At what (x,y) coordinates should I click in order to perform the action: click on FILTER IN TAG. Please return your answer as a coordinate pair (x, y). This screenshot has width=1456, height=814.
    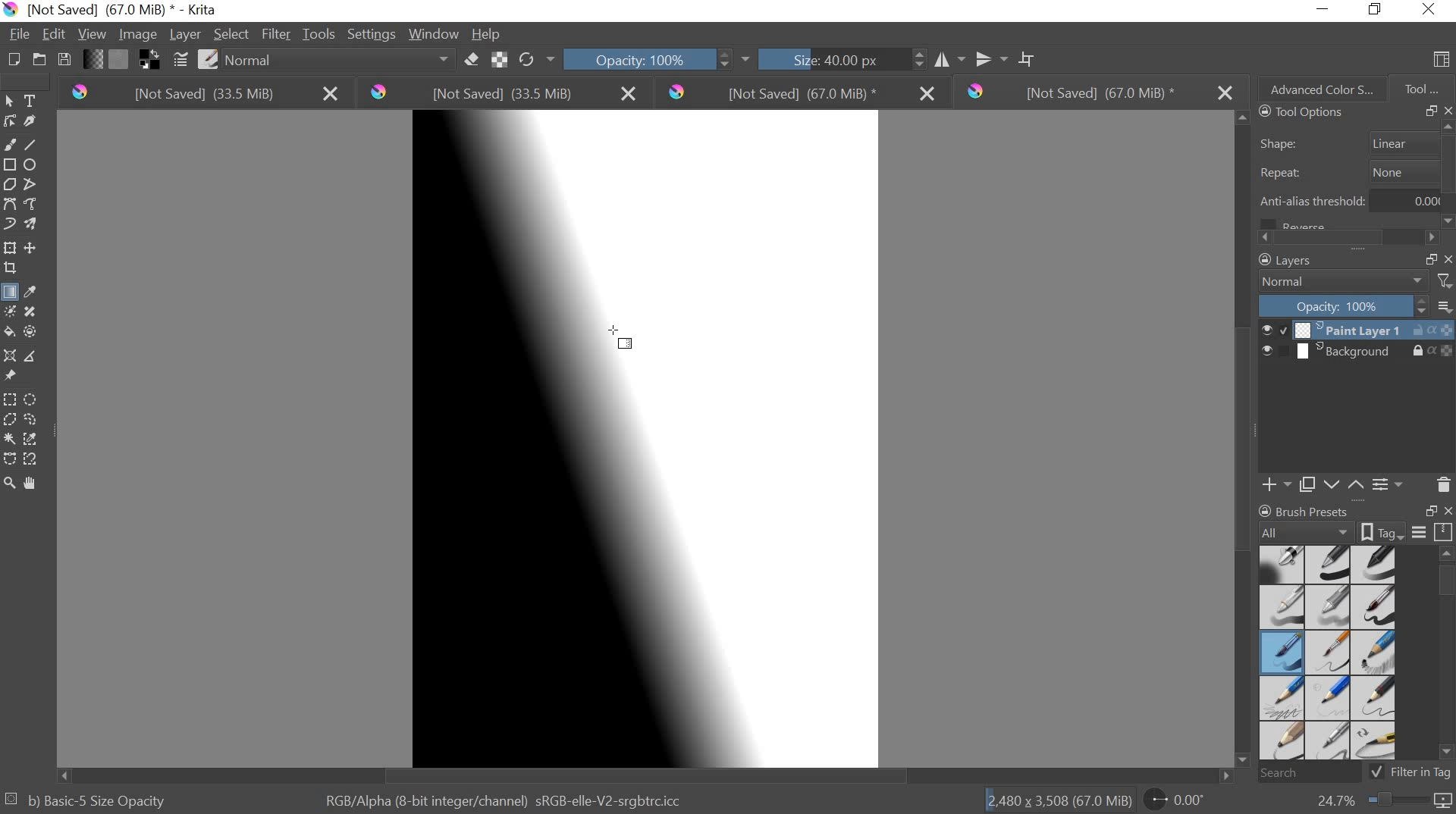
    Looking at the image, I should click on (1424, 773).